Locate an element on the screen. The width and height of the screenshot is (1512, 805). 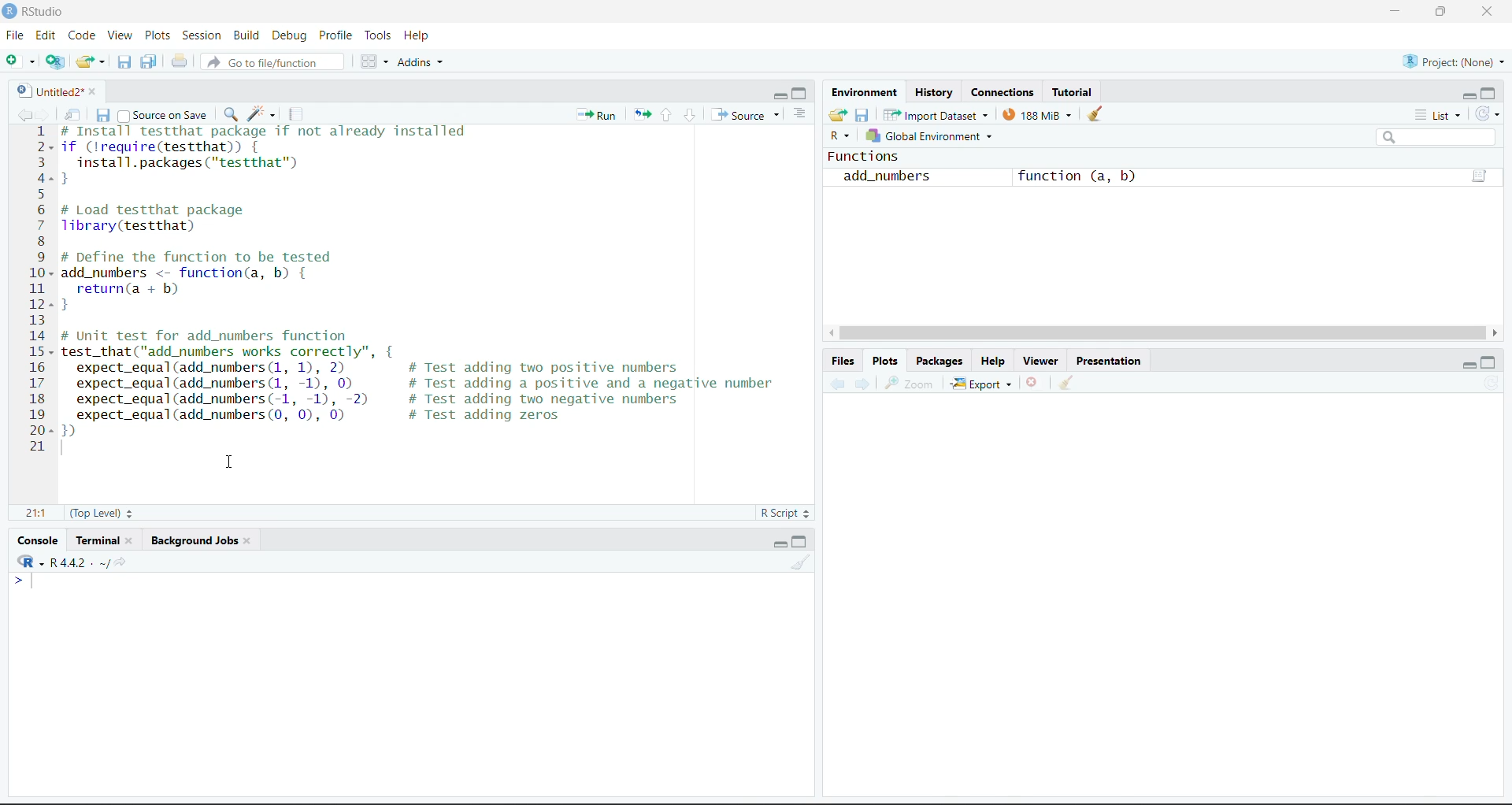
previous is located at coordinates (24, 115).